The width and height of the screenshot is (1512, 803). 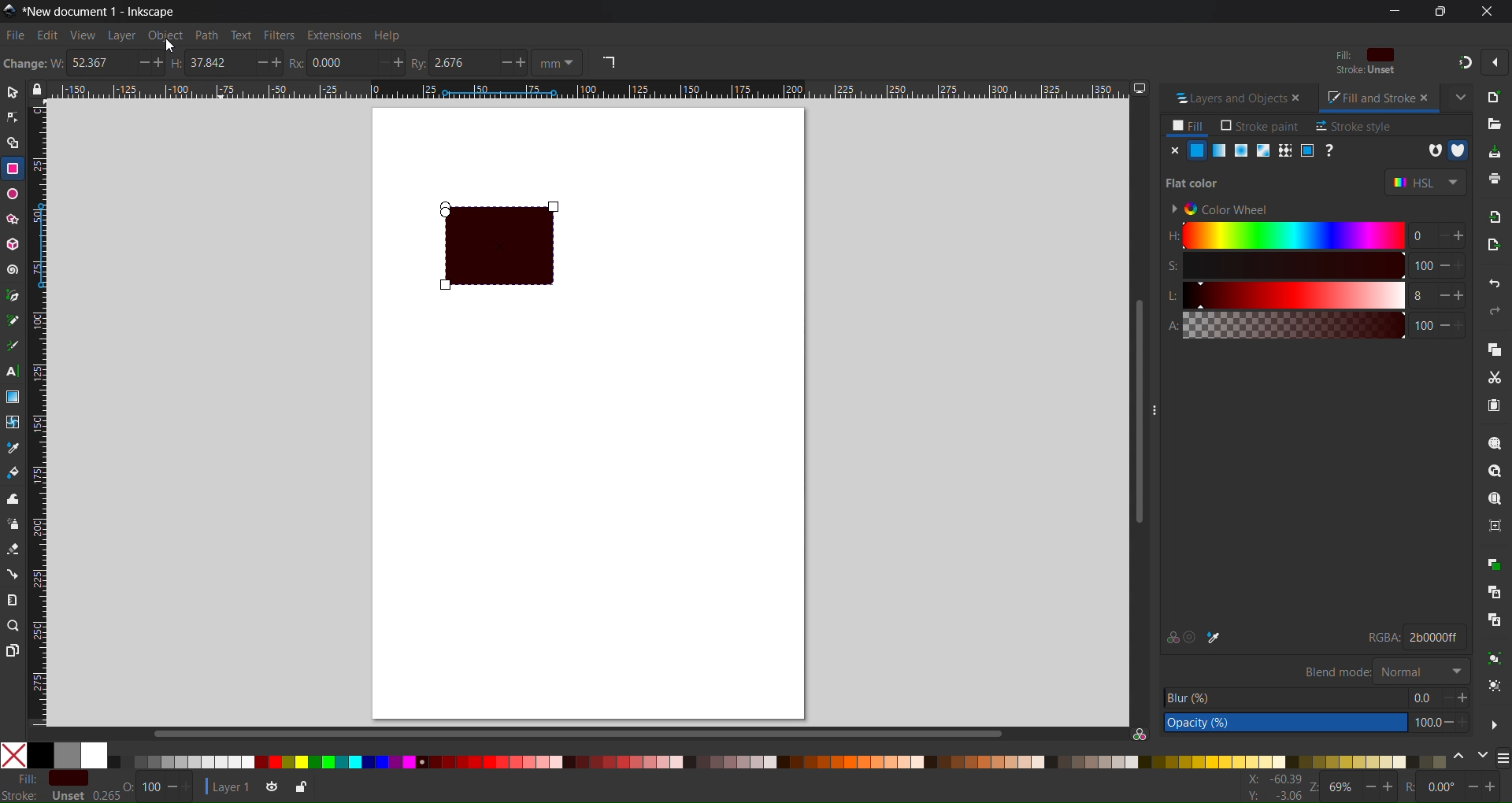 I want to click on decrease hue, so click(x=1461, y=237).